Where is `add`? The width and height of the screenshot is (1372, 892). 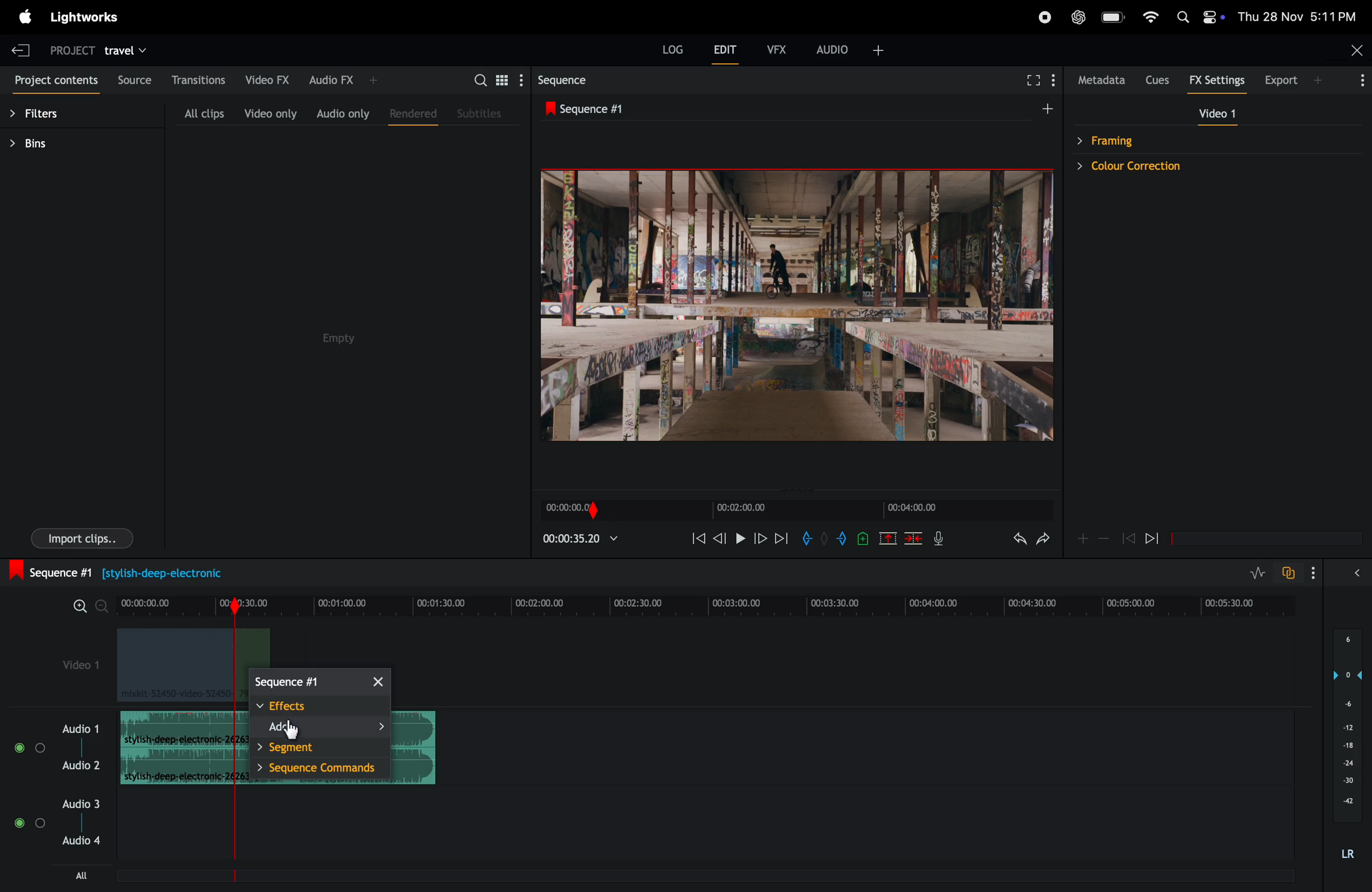
add is located at coordinates (1081, 538).